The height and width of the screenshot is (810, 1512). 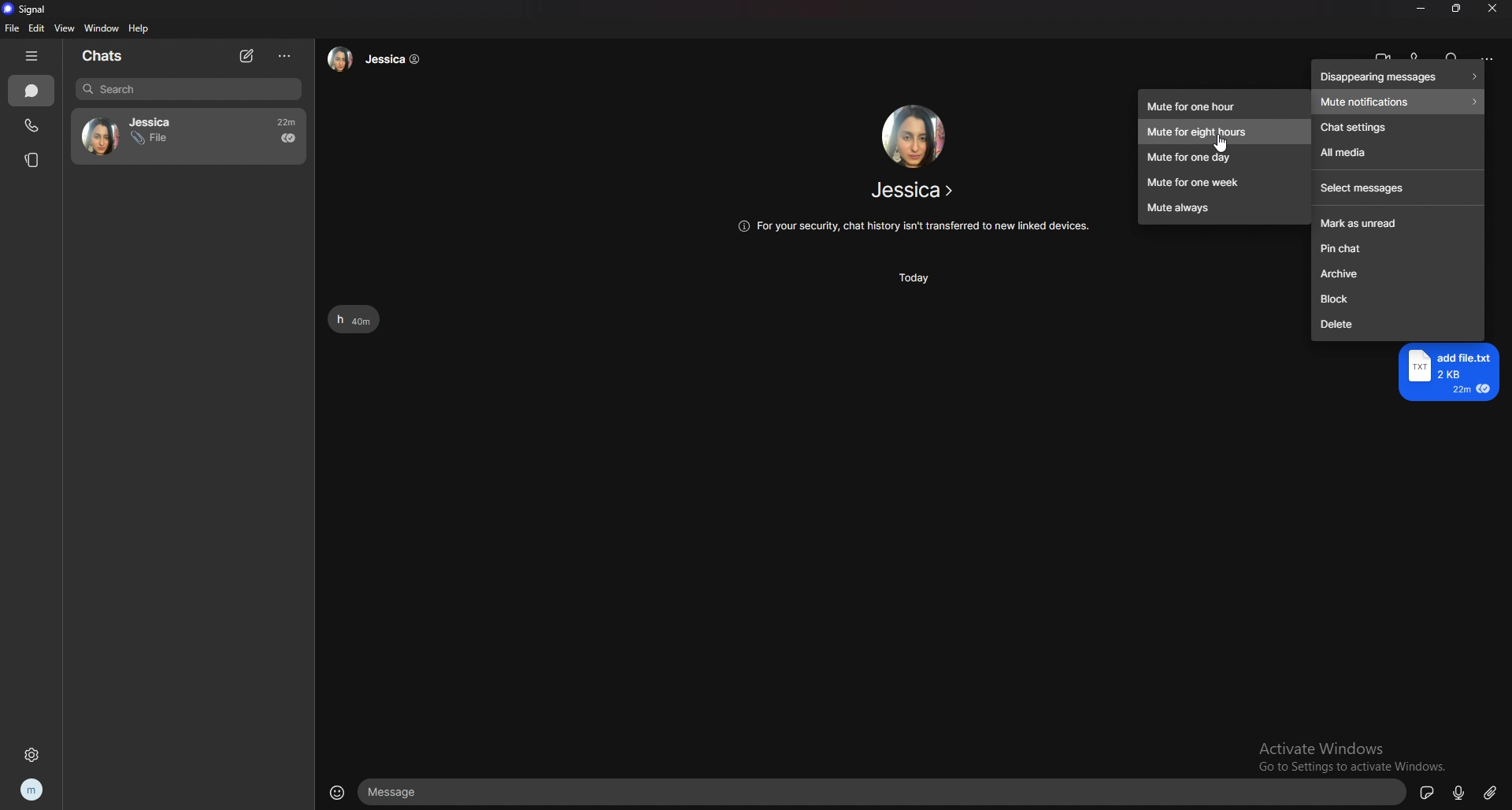 I want to click on text input, so click(x=882, y=792).